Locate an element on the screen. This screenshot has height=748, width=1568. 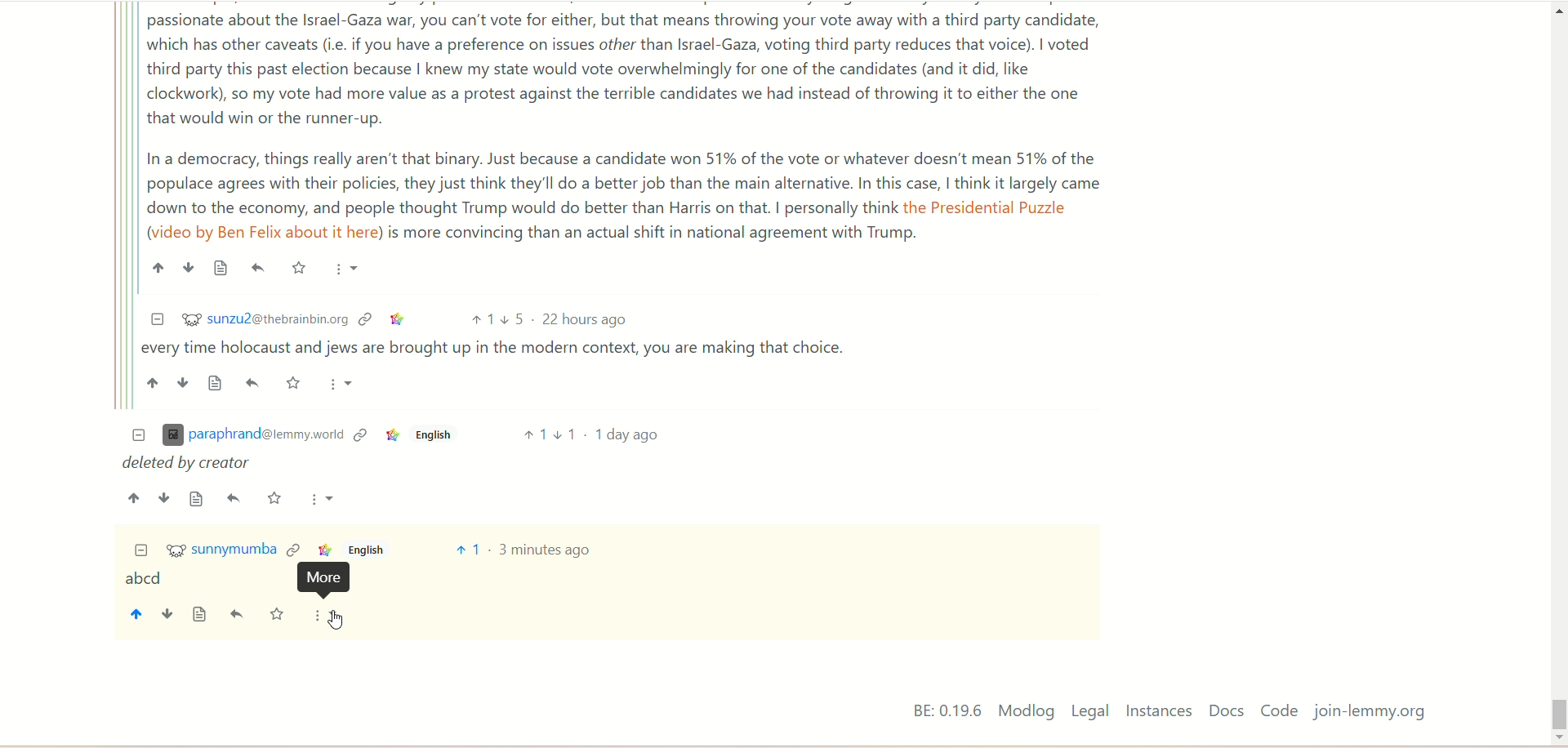
Upvote is located at coordinates (153, 383).